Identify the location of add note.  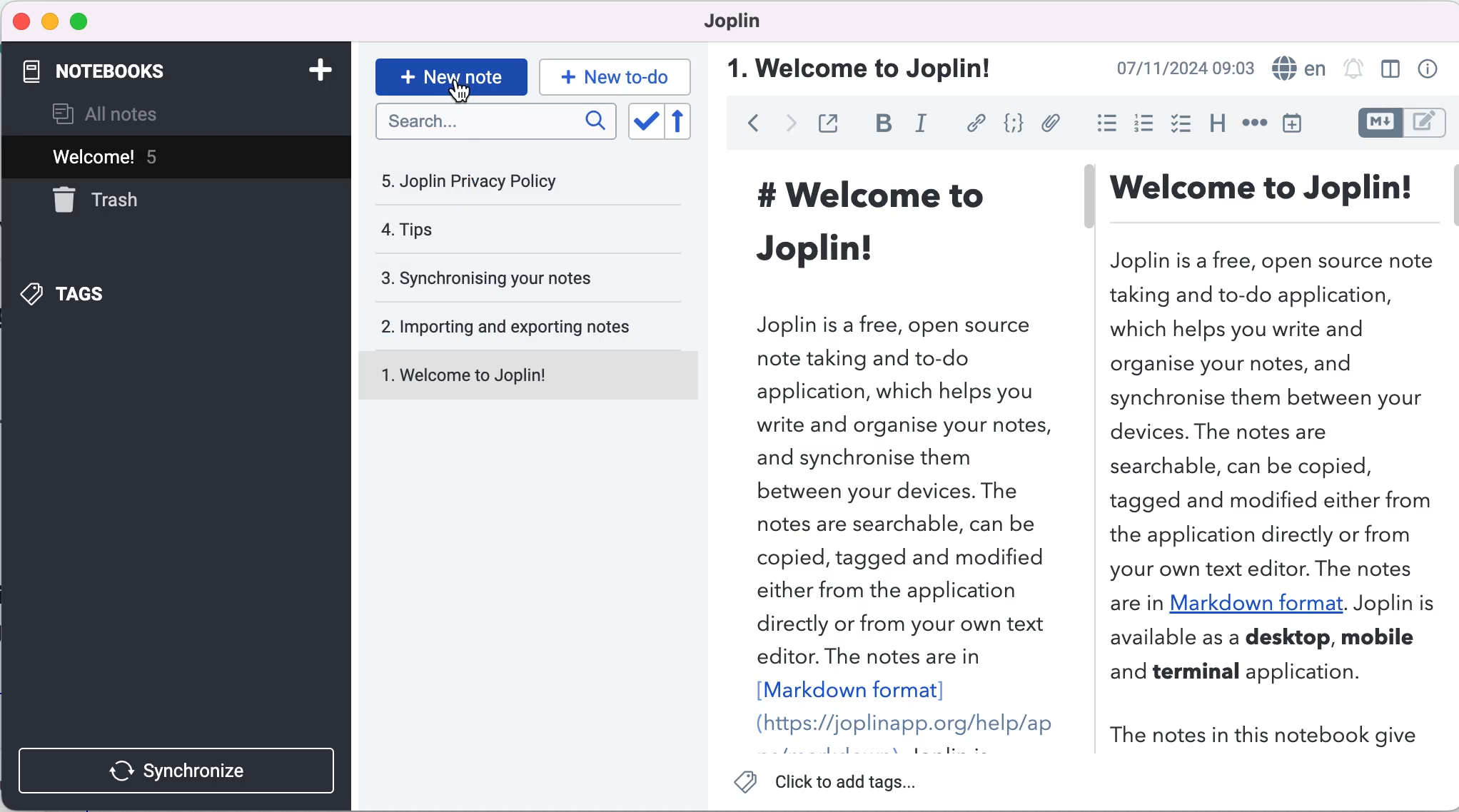
(313, 69).